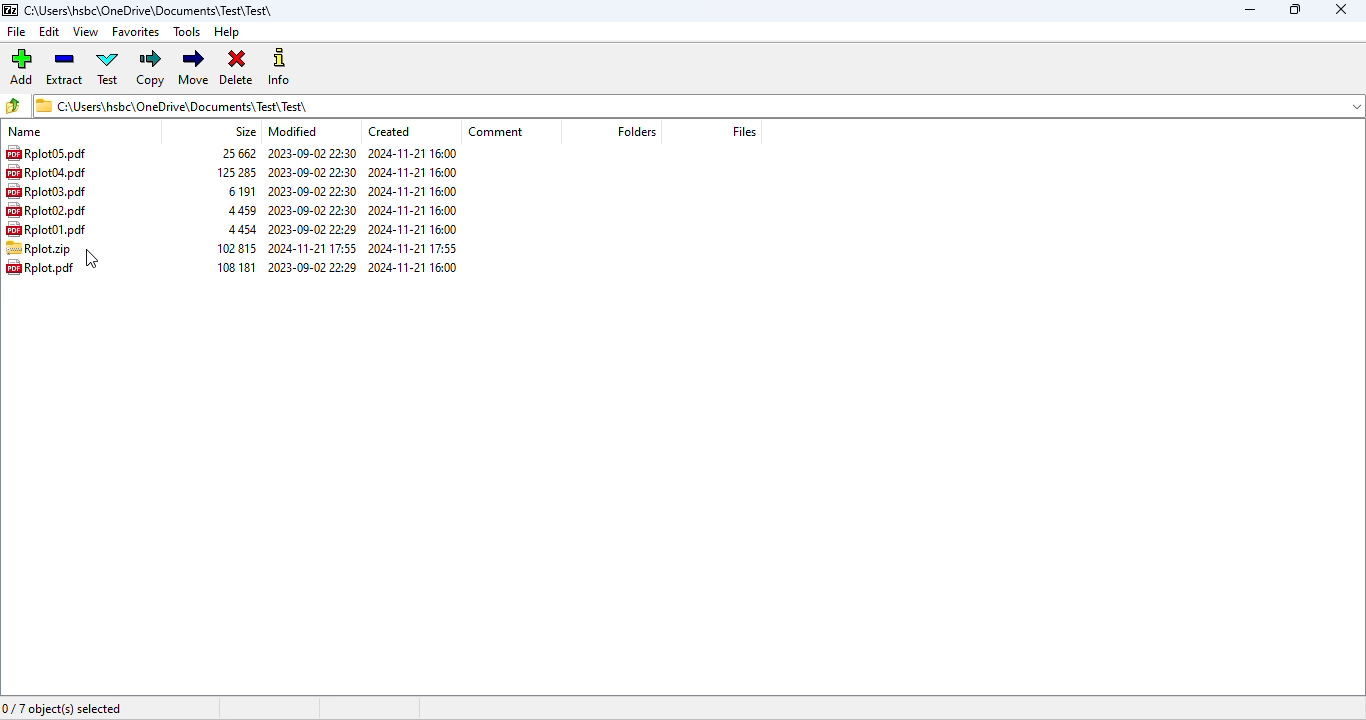  Describe the element at coordinates (52, 229) in the screenshot. I see ` Rplot01.pdf` at that location.